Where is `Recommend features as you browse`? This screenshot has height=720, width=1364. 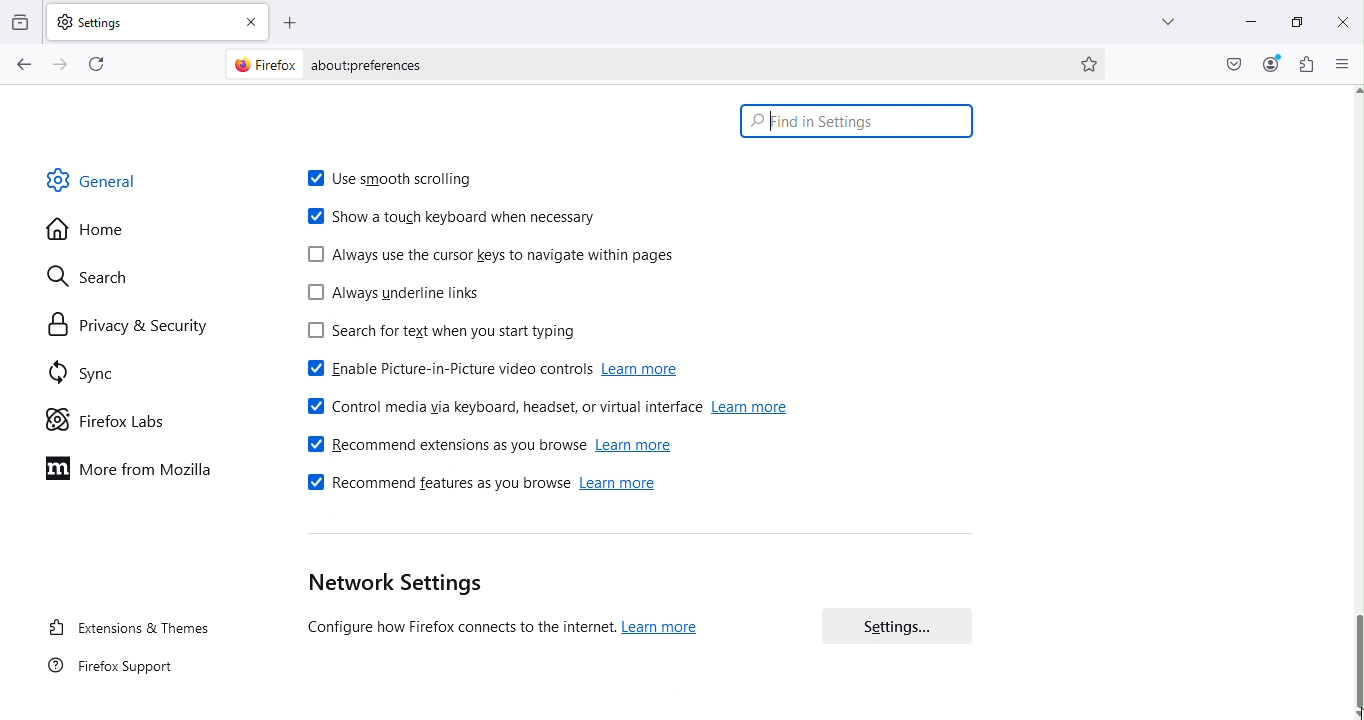
Recommend features as you browse is located at coordinates (435, 487).